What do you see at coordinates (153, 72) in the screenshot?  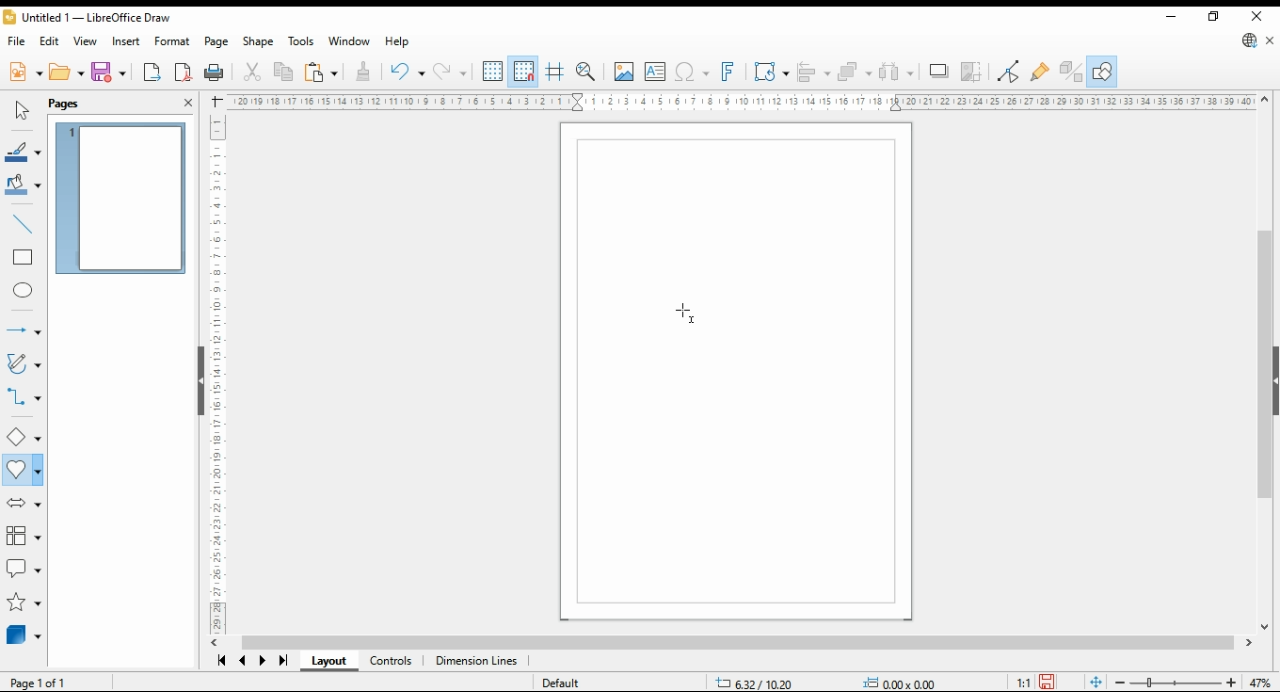 I see `export` at bounding box center [153, 72].